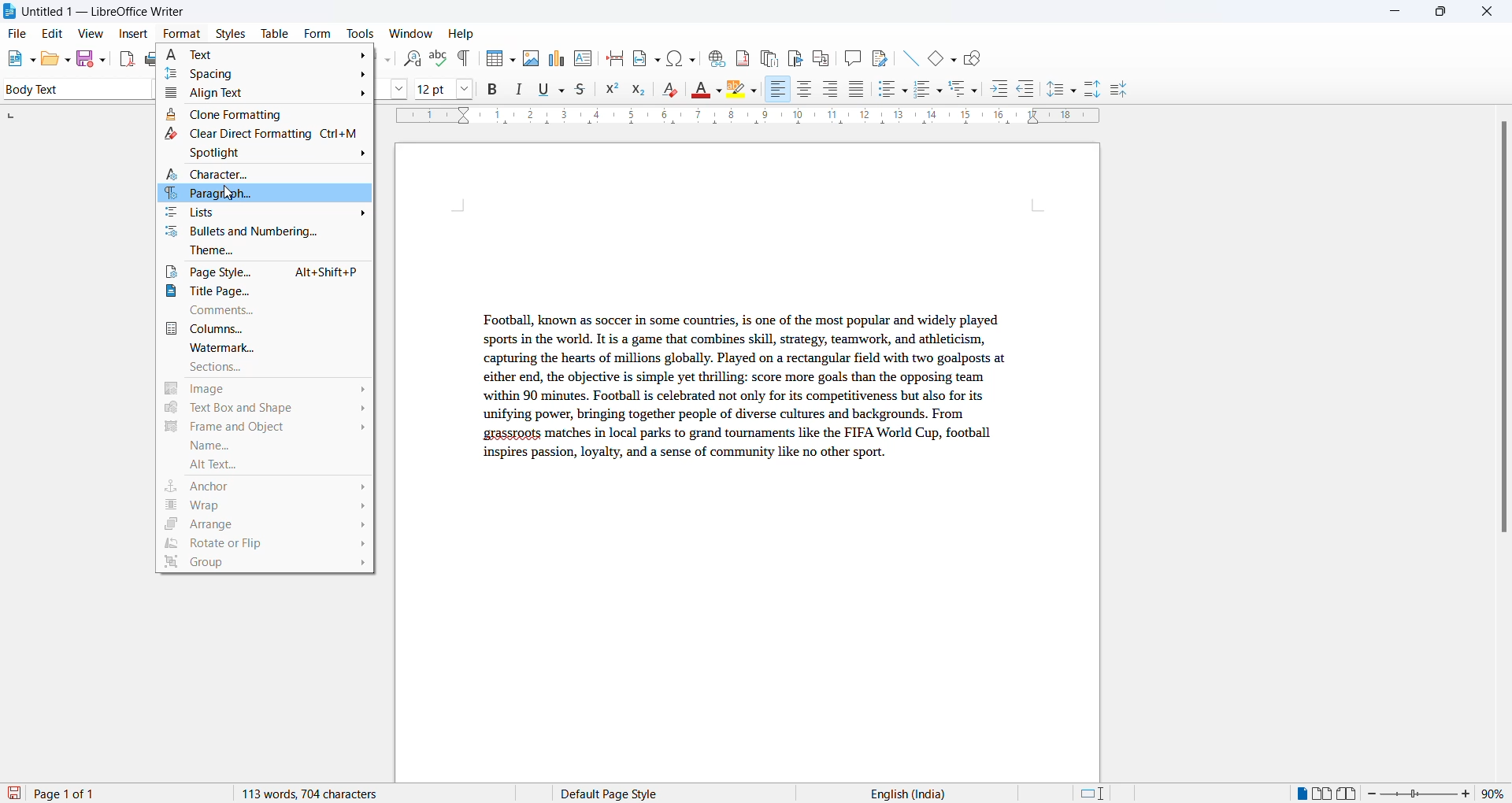  Describe the element at coordinates (266, 293) in the screenshot. I see `title page` at that location.